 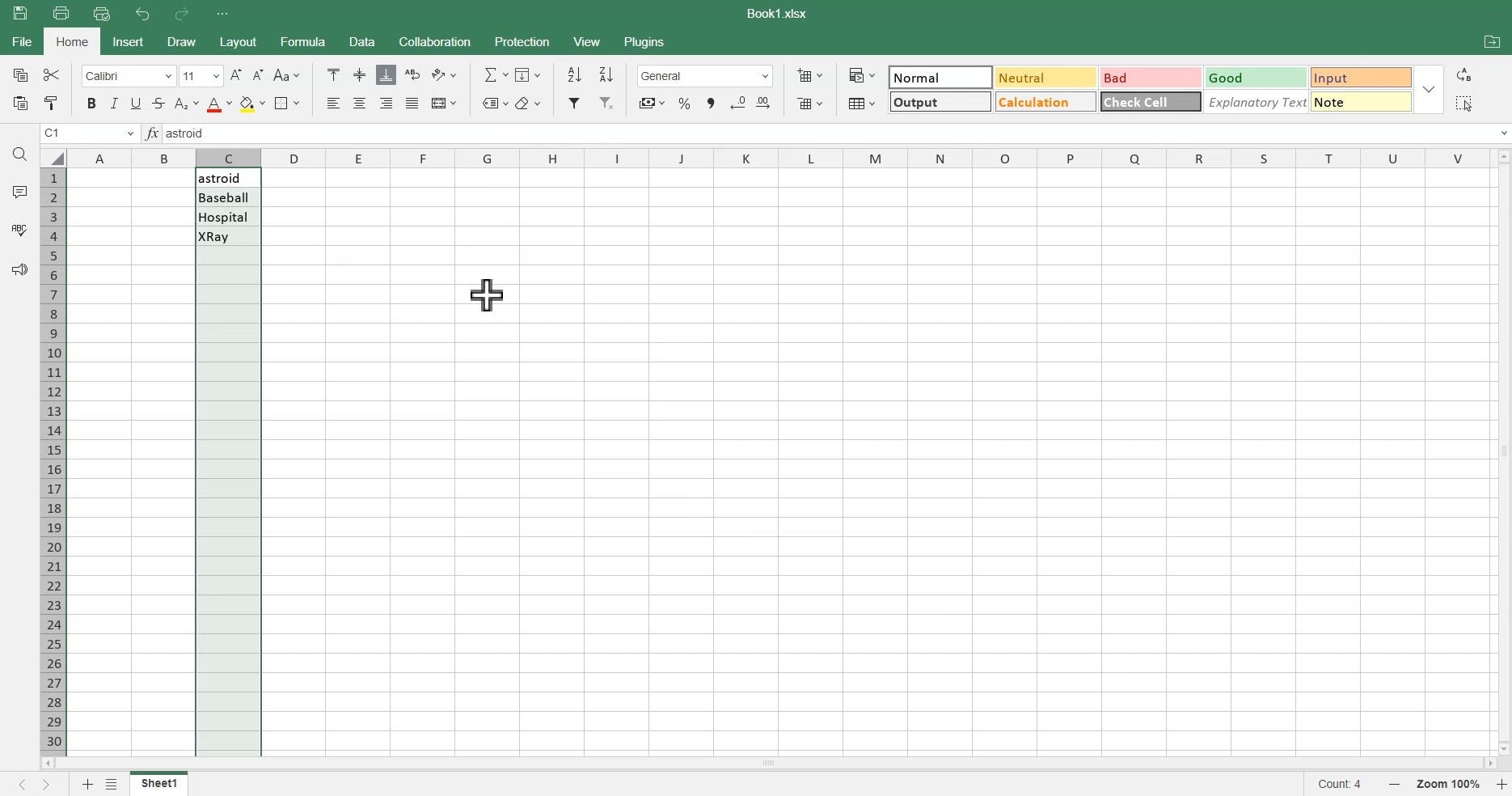 What do you see at coordinates (222, 14) in the screenshot?
I see `Customize Toolbar` at bounding box center [222, 14].